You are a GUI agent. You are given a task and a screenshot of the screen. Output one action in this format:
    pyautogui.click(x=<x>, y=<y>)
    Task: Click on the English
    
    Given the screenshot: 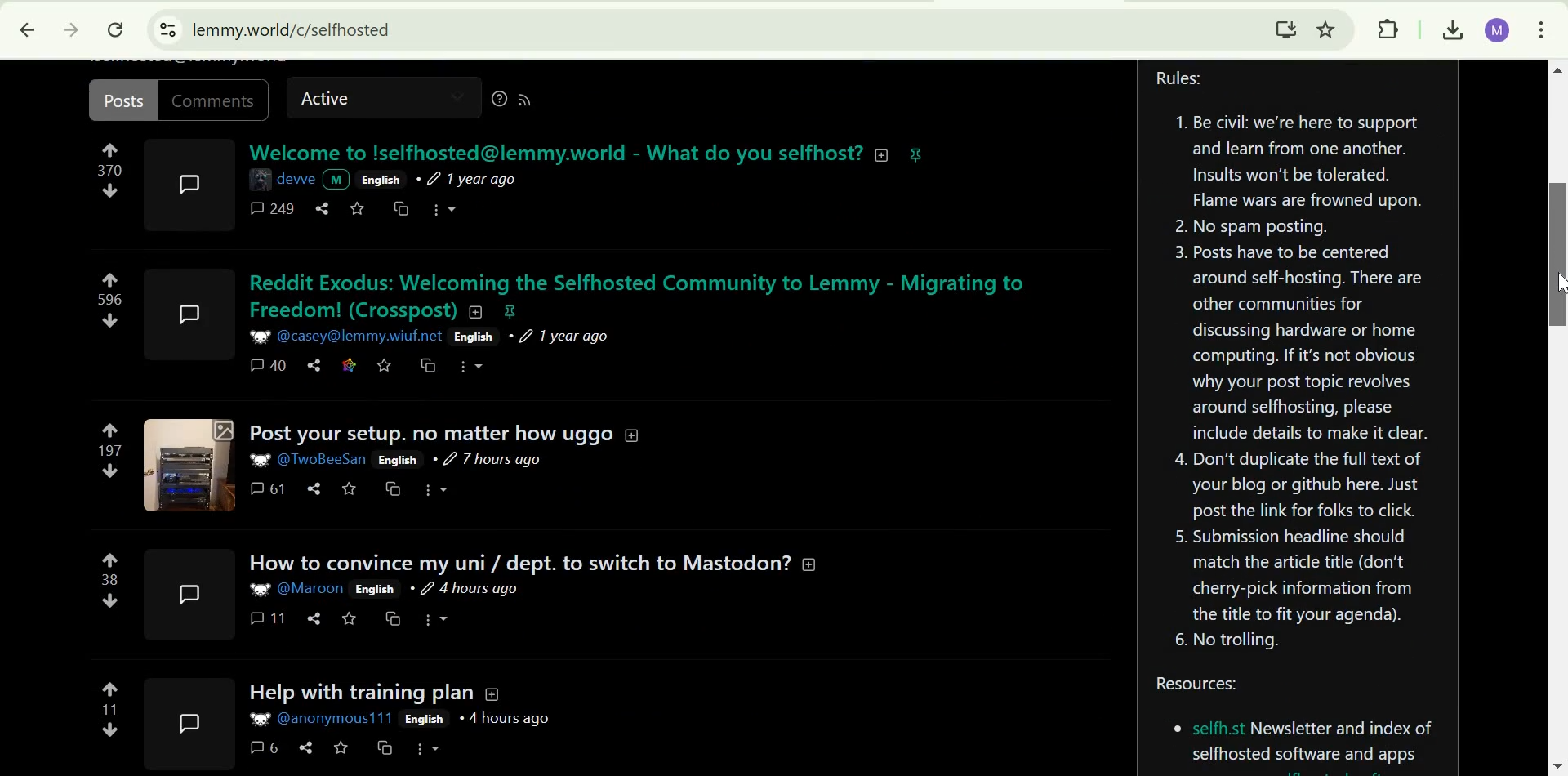 What is the action you would take?
    pyautogui.click(x=425, y=720)
    